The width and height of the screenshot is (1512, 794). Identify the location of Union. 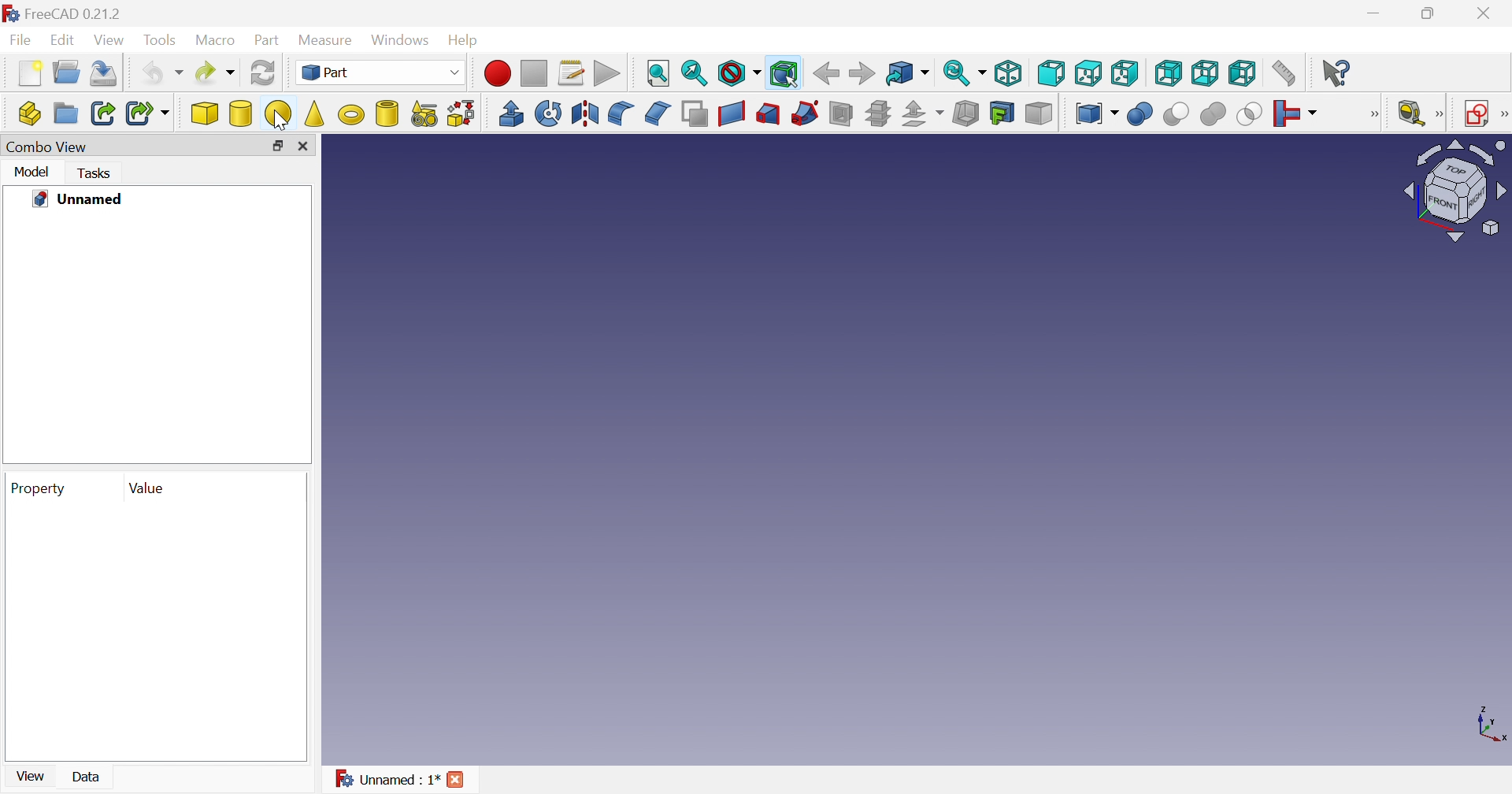
(1214, 114).